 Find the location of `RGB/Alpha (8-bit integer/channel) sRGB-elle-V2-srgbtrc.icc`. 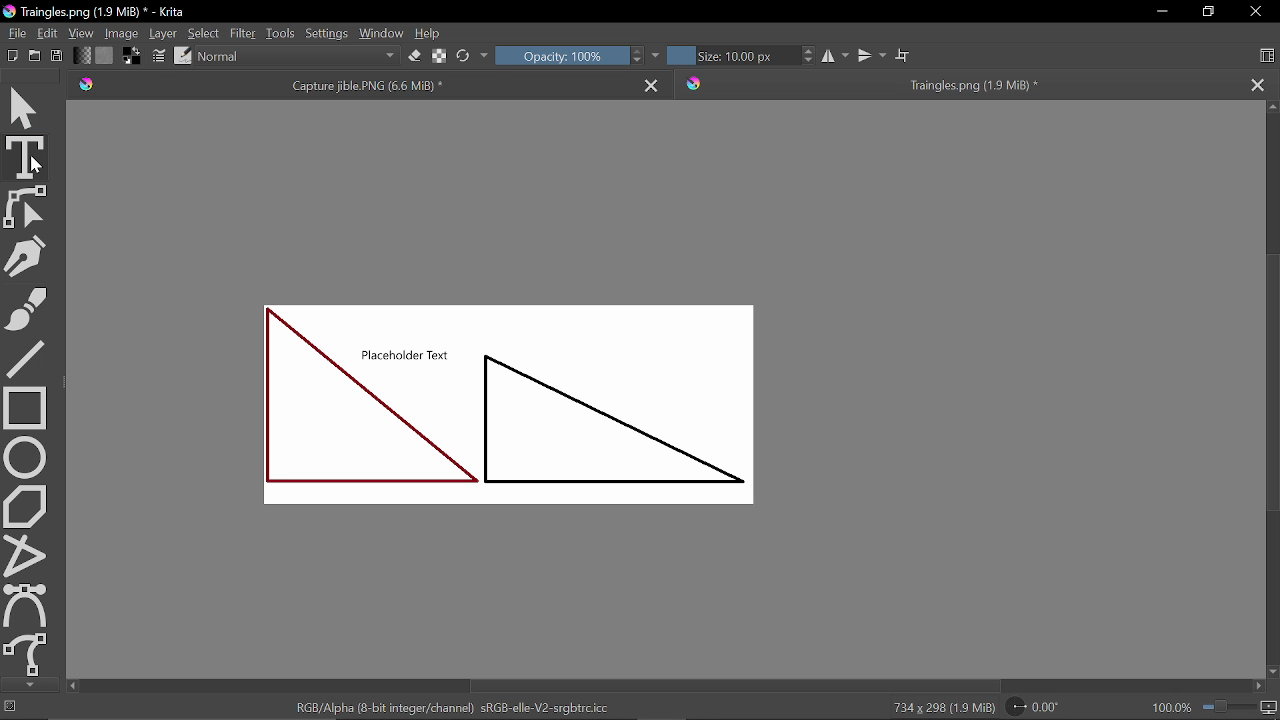

RGB/Alpha (8-bit integer/channel) sRGB-elle-V2-srgbtrc.icc is located at coordinates (452, 707).